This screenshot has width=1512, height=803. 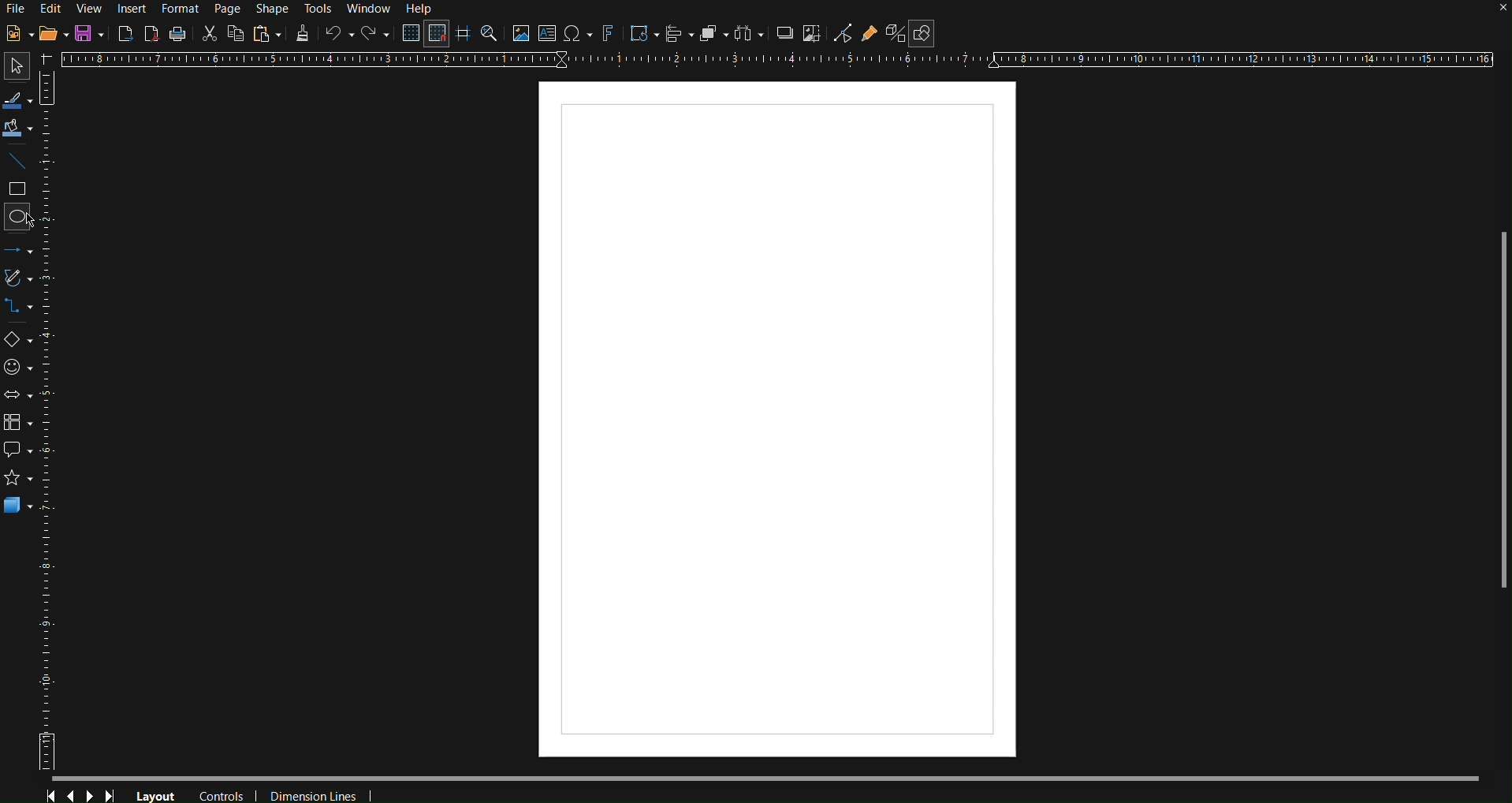 What do you see at coordinates (82, 792) in the screenshot?
I see `Controls` at bounding box center [82, 792].